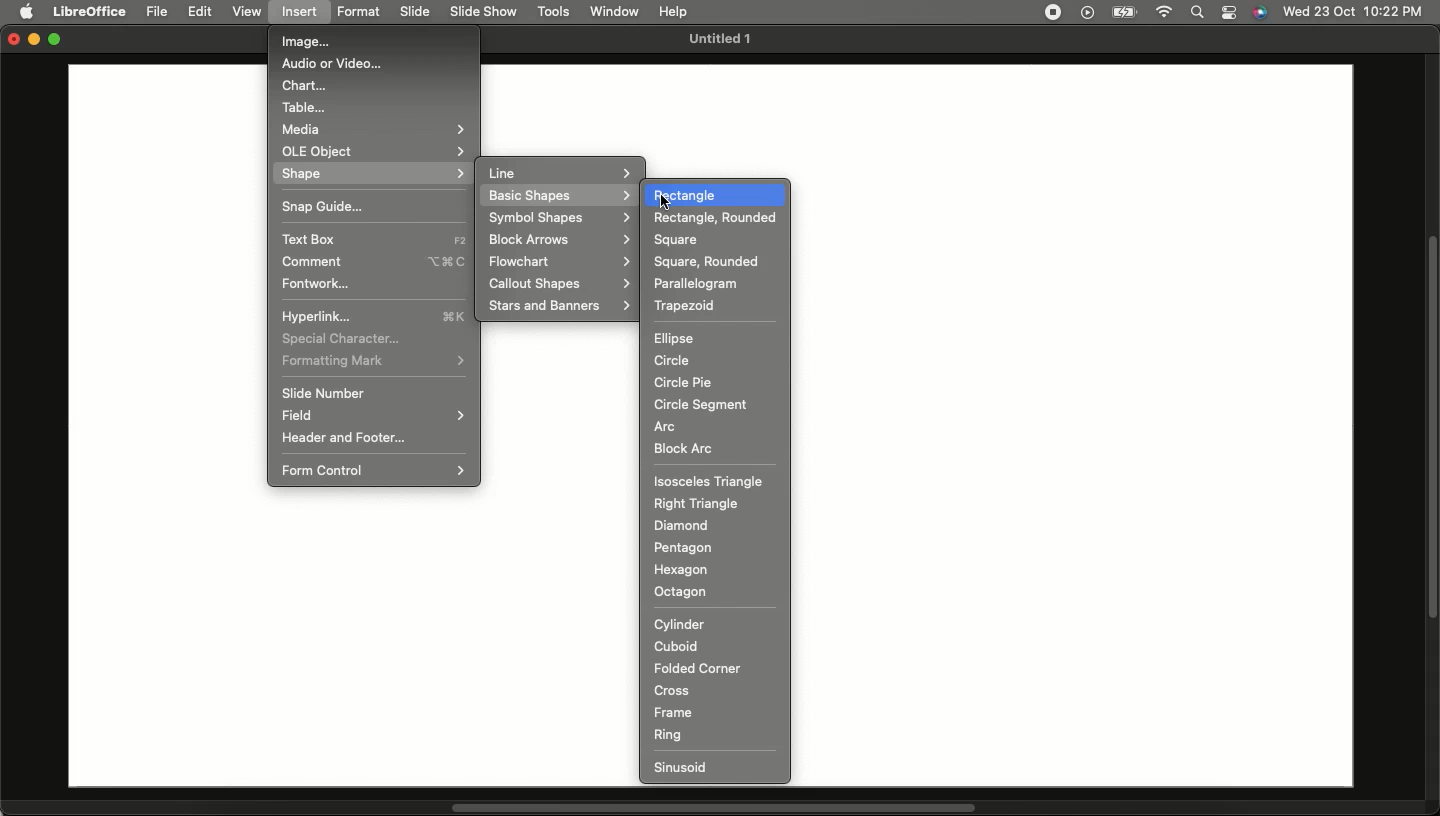  Describe the element at coordinates (683, 622) in the screenshot. I see `Cylinder` at that location.